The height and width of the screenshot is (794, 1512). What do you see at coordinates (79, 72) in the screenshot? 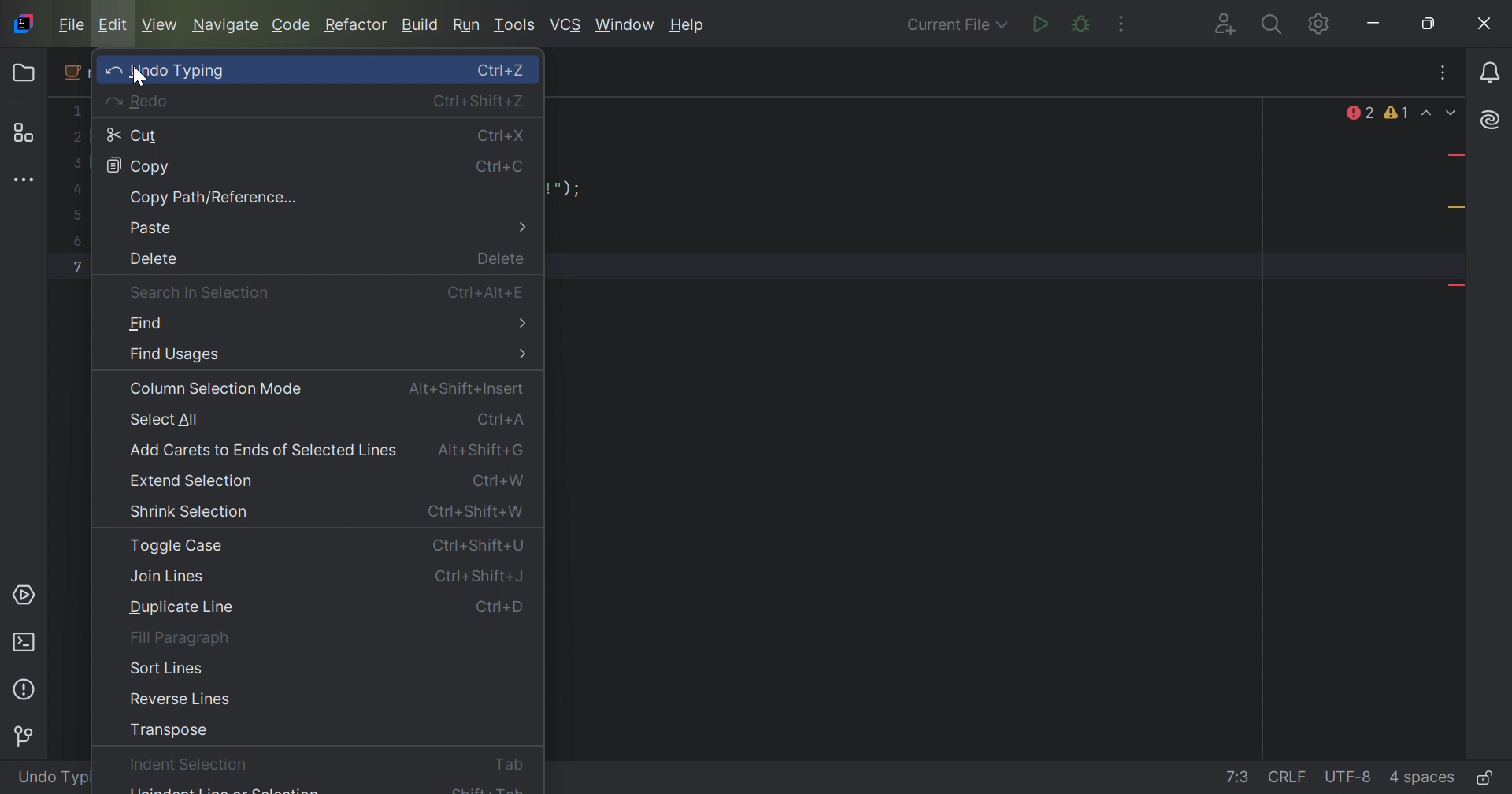
I see `main menu icon` at bounding box center [79, 72].